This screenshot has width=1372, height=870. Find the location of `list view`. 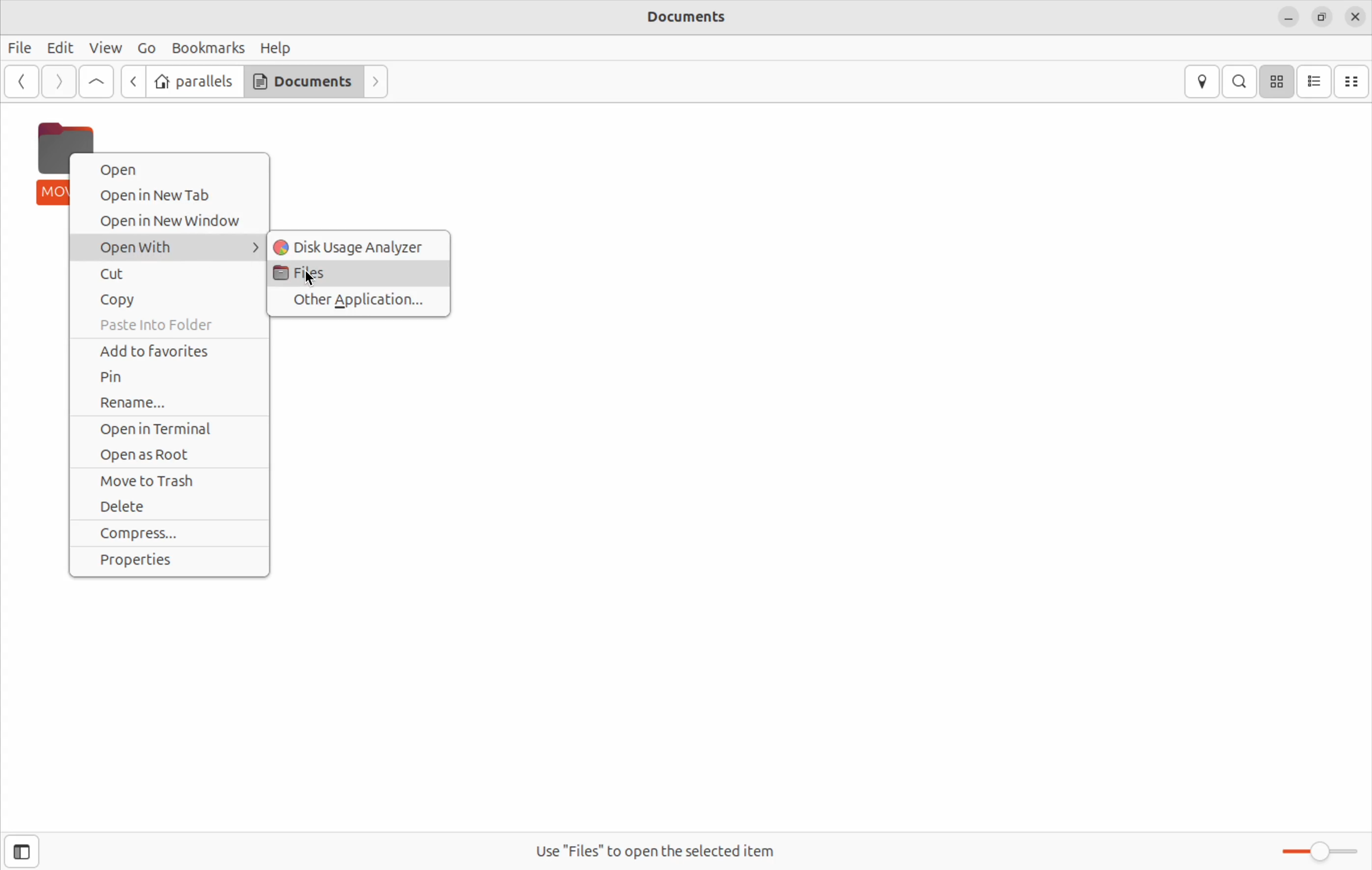

list view is located at coordinates (1316, 82).